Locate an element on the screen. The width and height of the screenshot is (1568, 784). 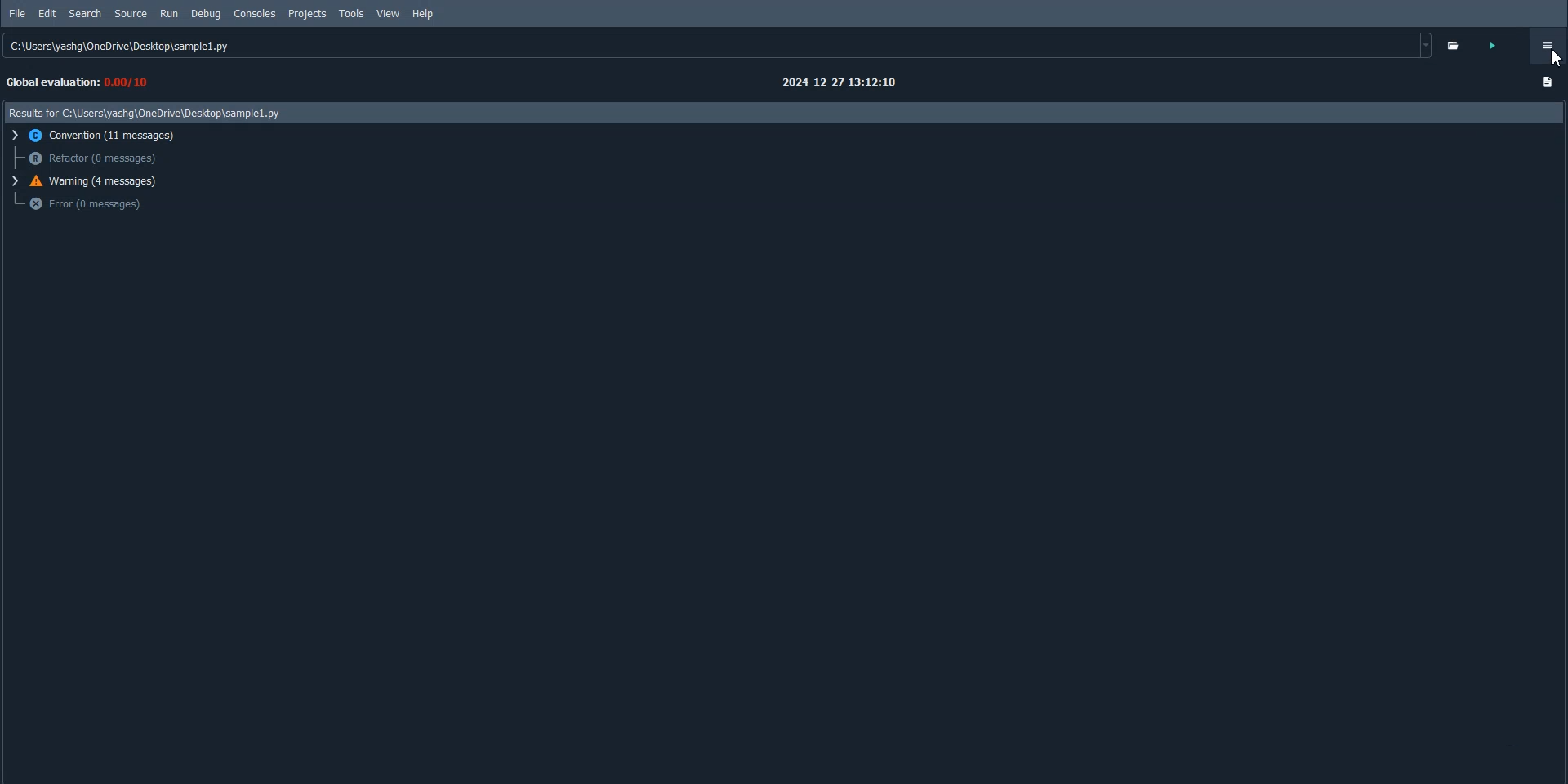
Results for C:\Users\yashg\OneDrive\Desktop\sample1.p is located at coordinates (142, 115).